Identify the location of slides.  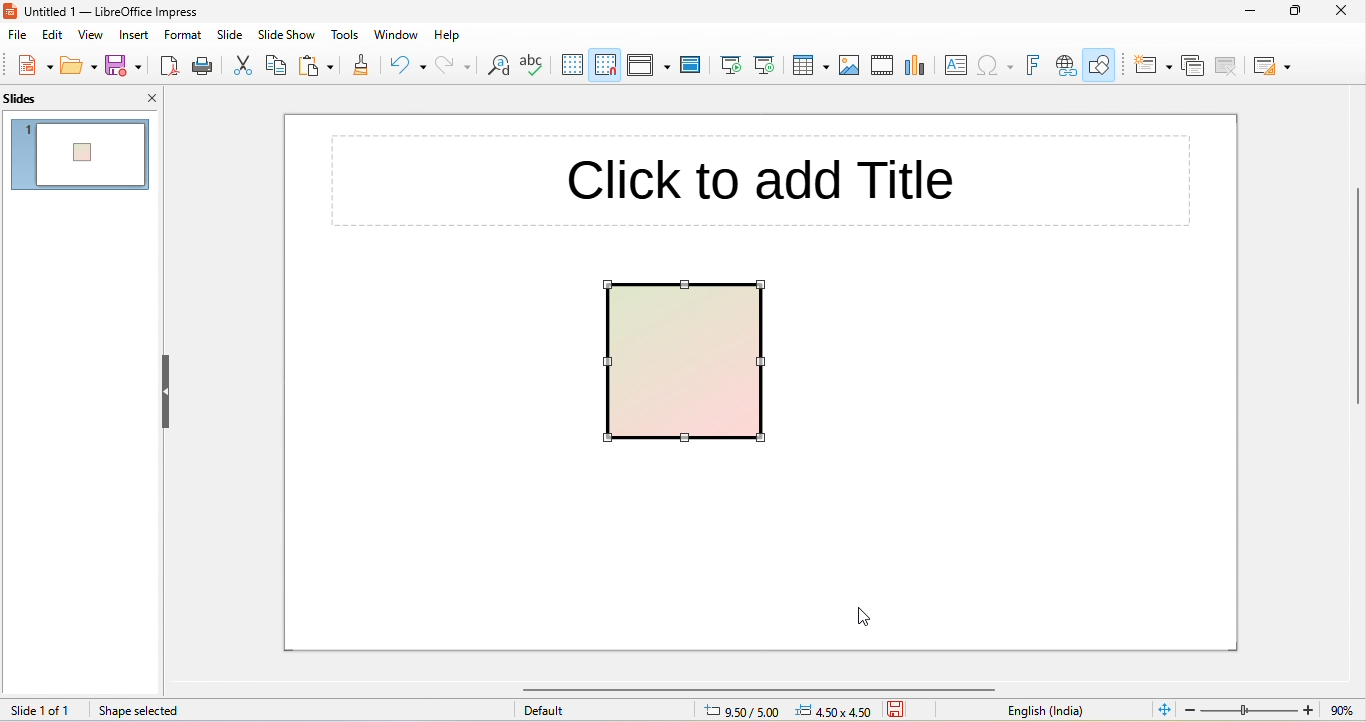
(50, 97).